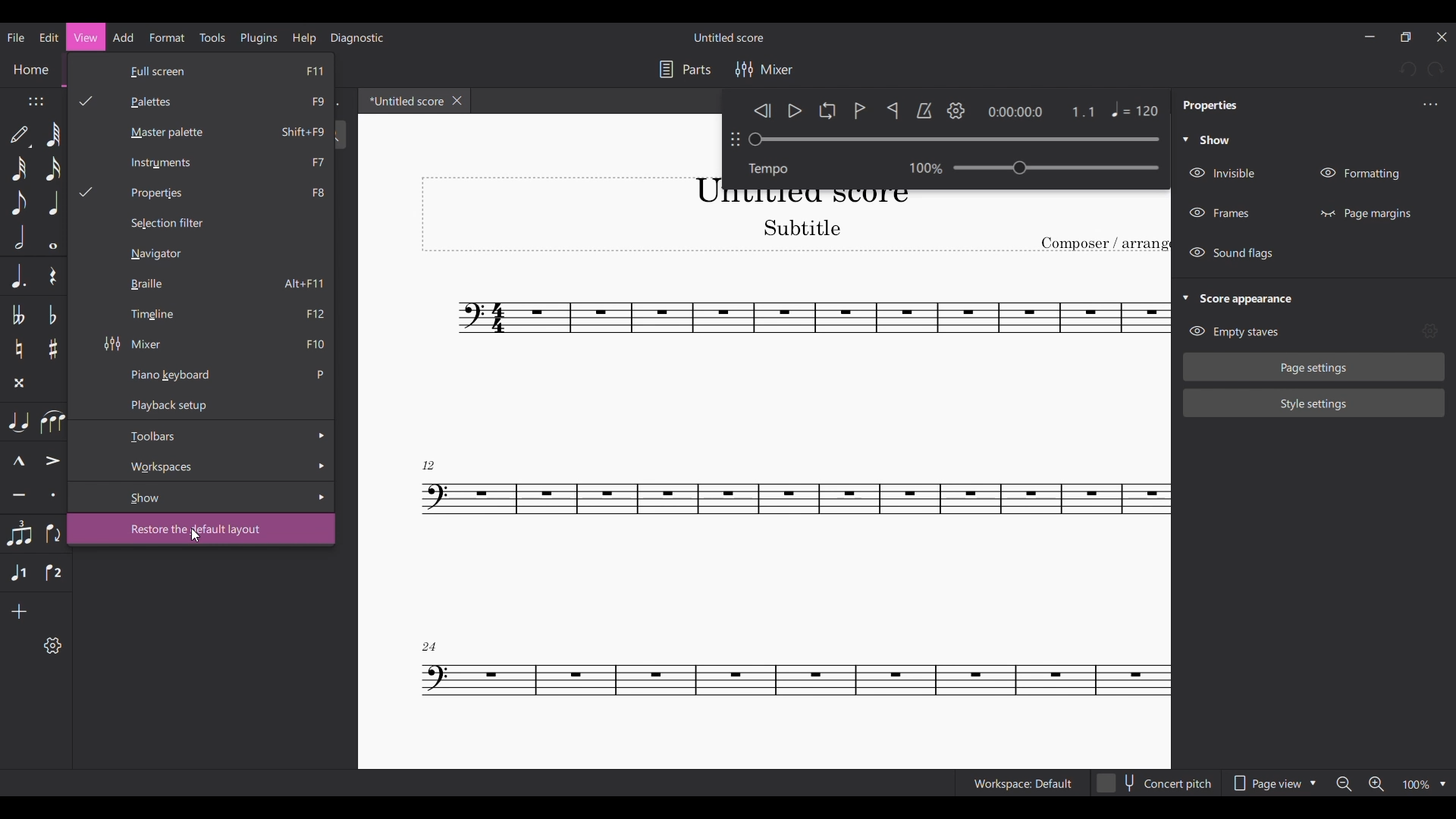 The image size is (1456, 819). What do you see at coordinates (1426, 784) in the screenshot?
I see `100%` at bounding box center [1426, 784].